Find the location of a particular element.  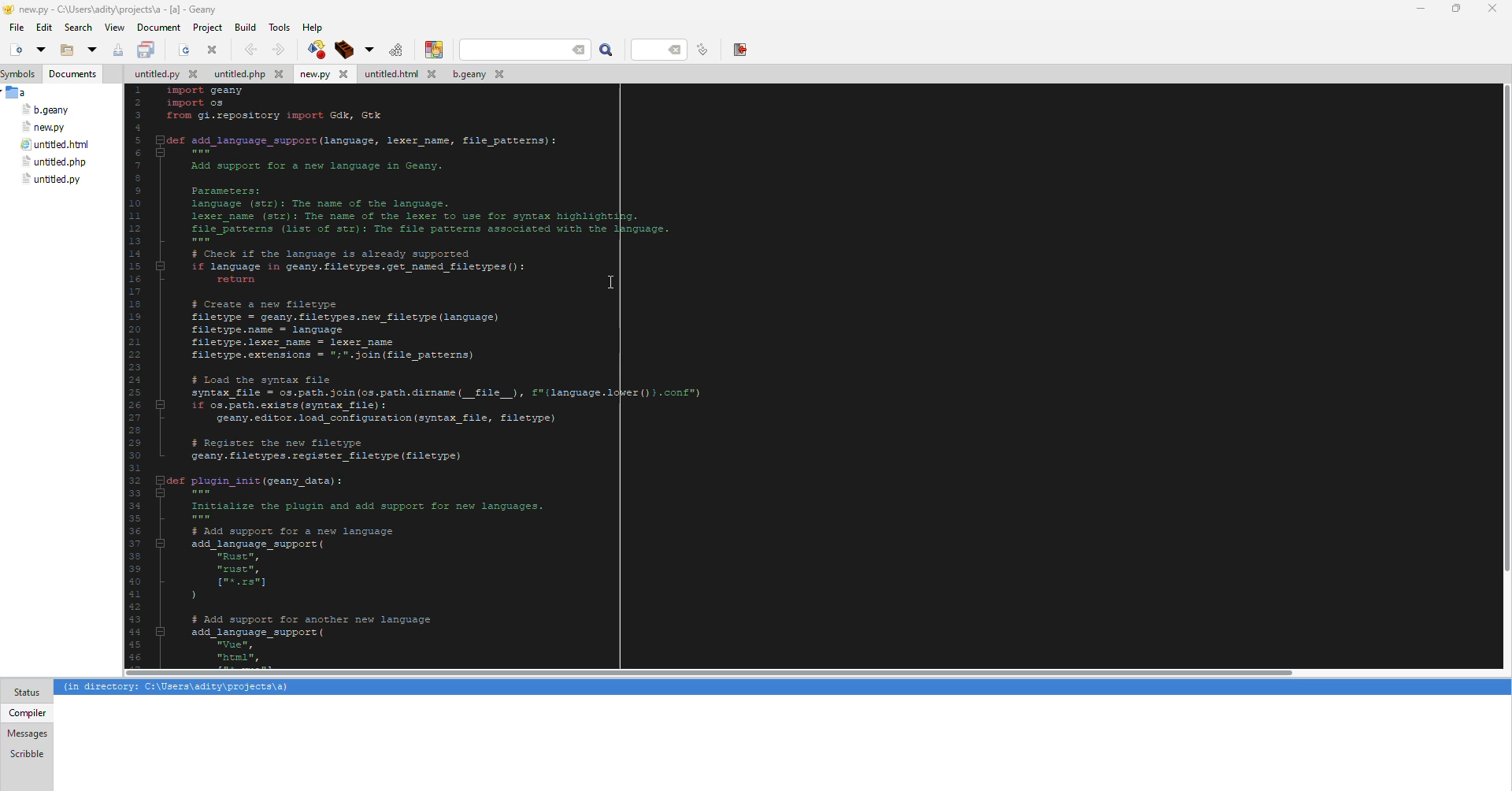

line is located at coordinates (658, 50).